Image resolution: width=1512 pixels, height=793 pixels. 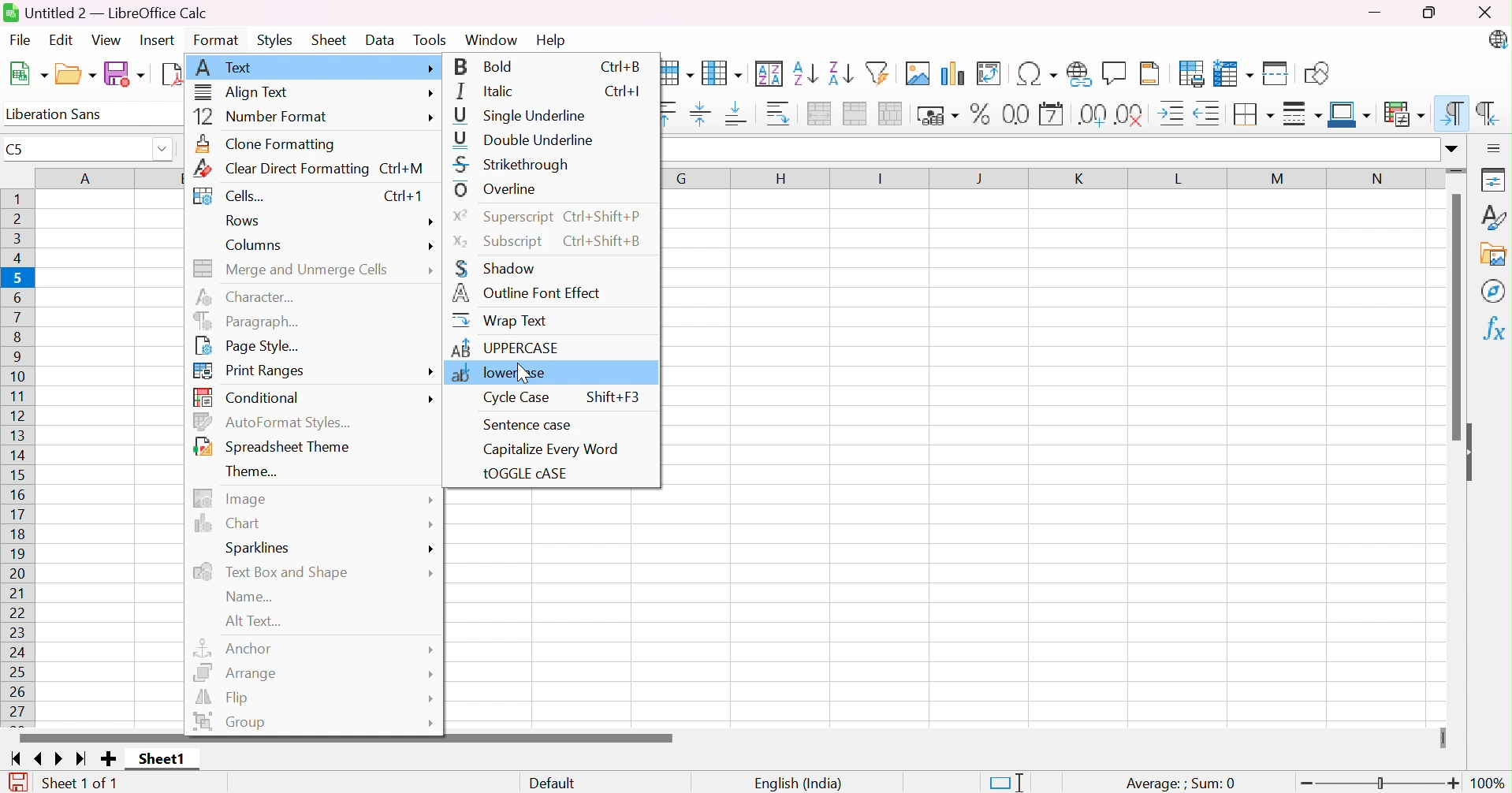 I want to click on Define Print Area, so click(x=1190, y=73).